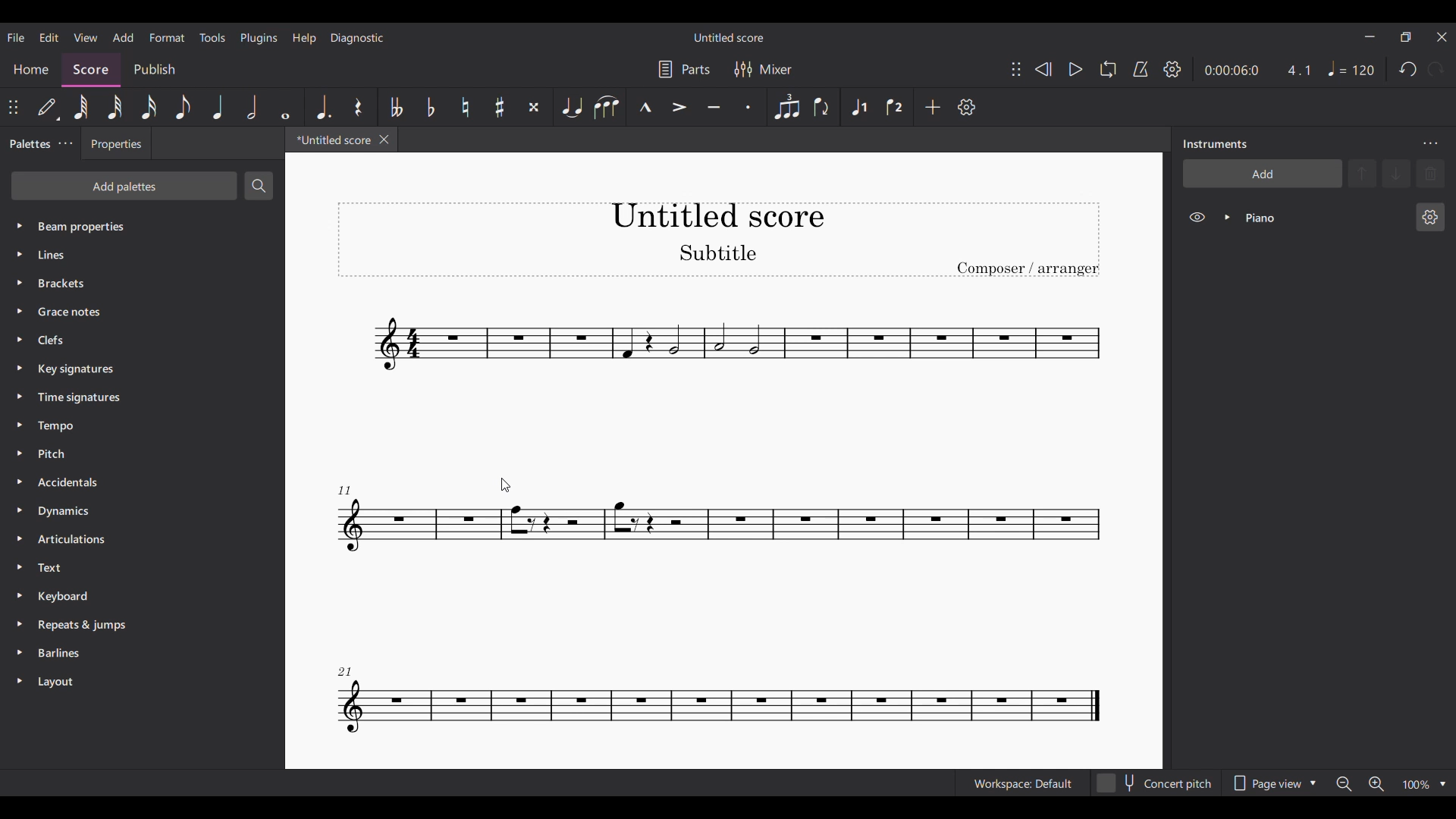 This screenshot has height=819, width=1456. What do you see at coordinates (127, 483) in the screenshot?
I see `Accidentals` at bounding box center [127, 483].